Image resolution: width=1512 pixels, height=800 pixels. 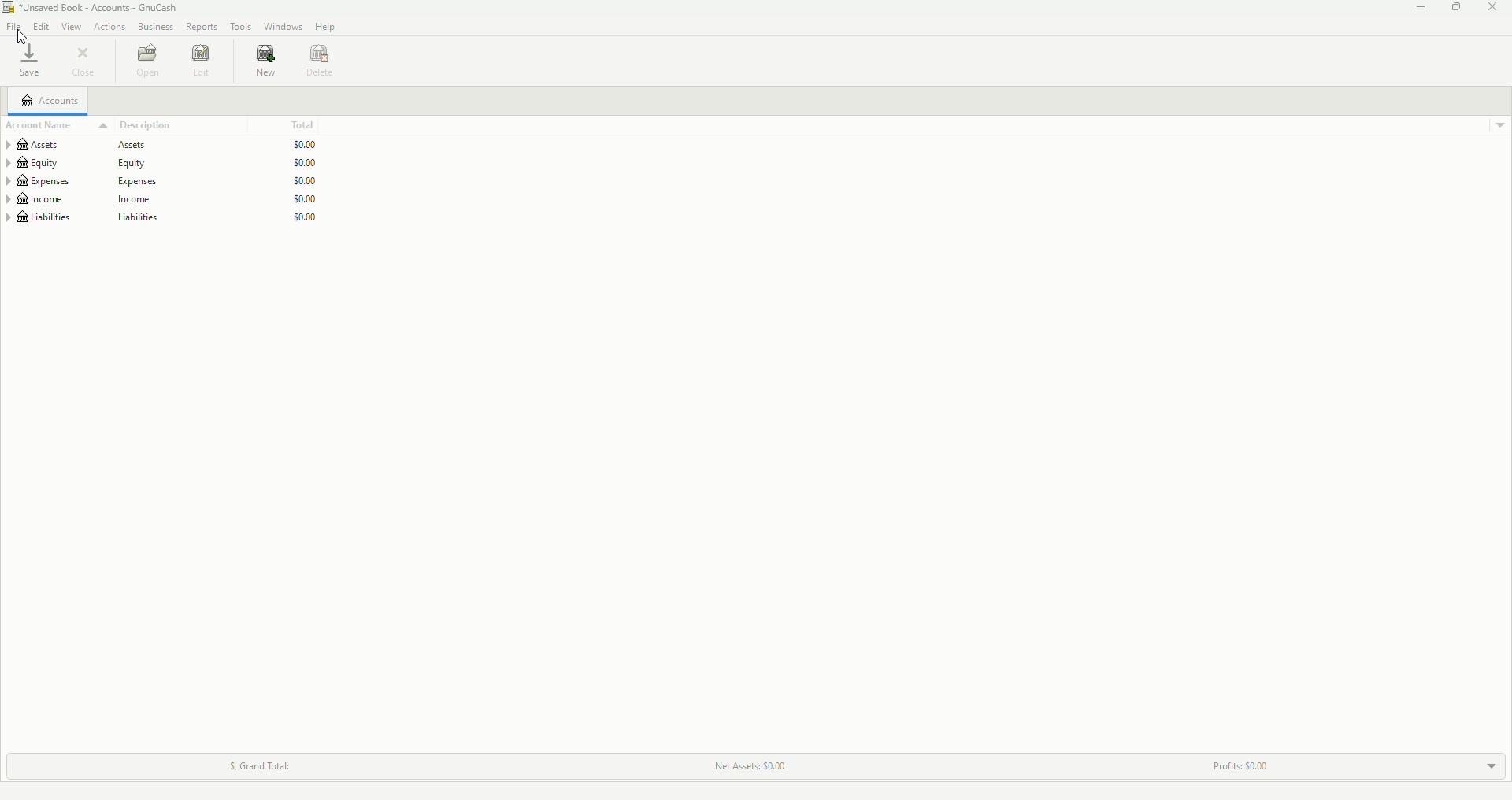 What do you see at coordinates (137, 125) in the screenshot?
I see `Description` at bounding box center [137, 125].